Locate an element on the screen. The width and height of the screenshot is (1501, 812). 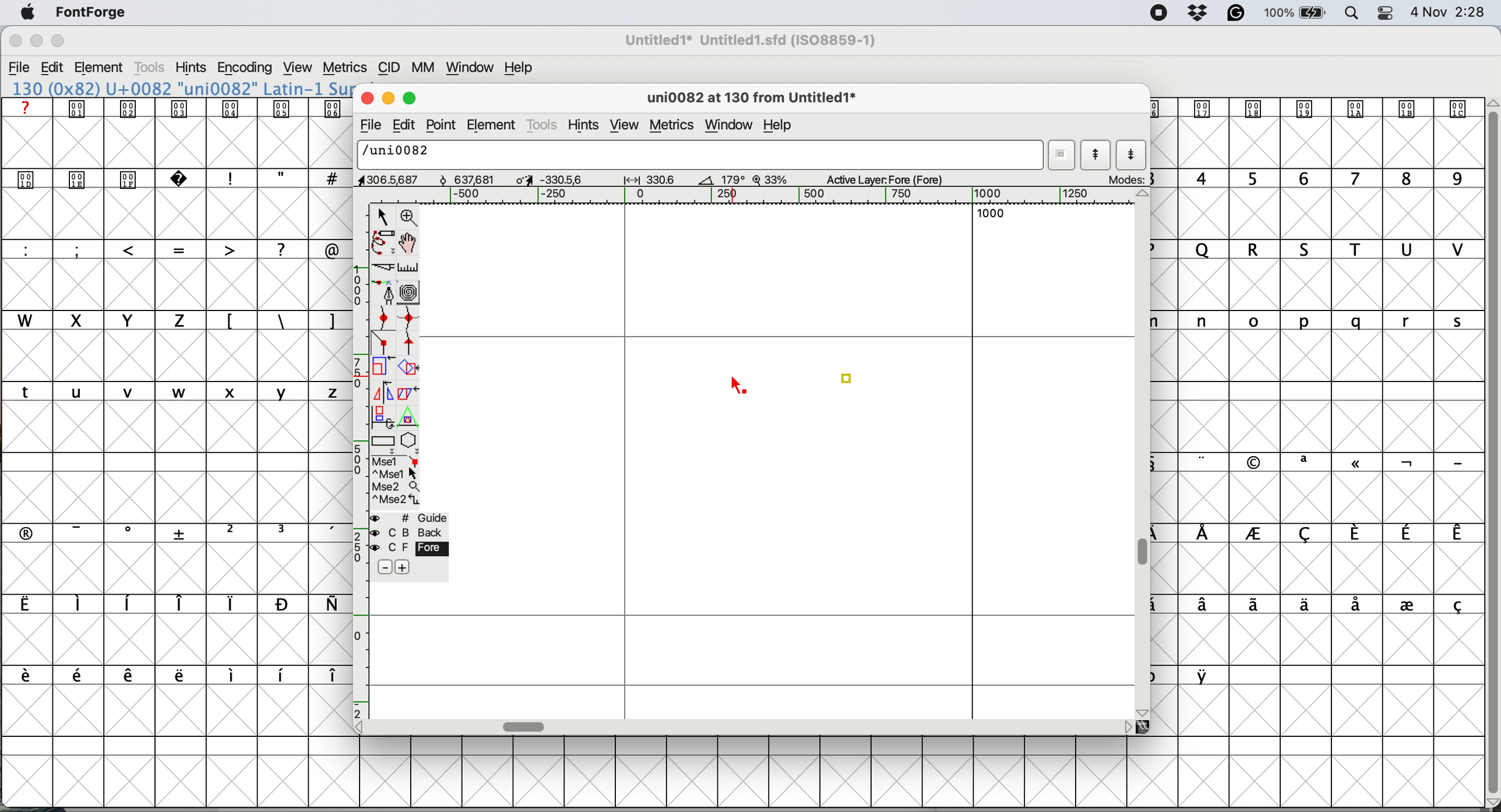
show previous letter is located at coordinates (1098, 154).